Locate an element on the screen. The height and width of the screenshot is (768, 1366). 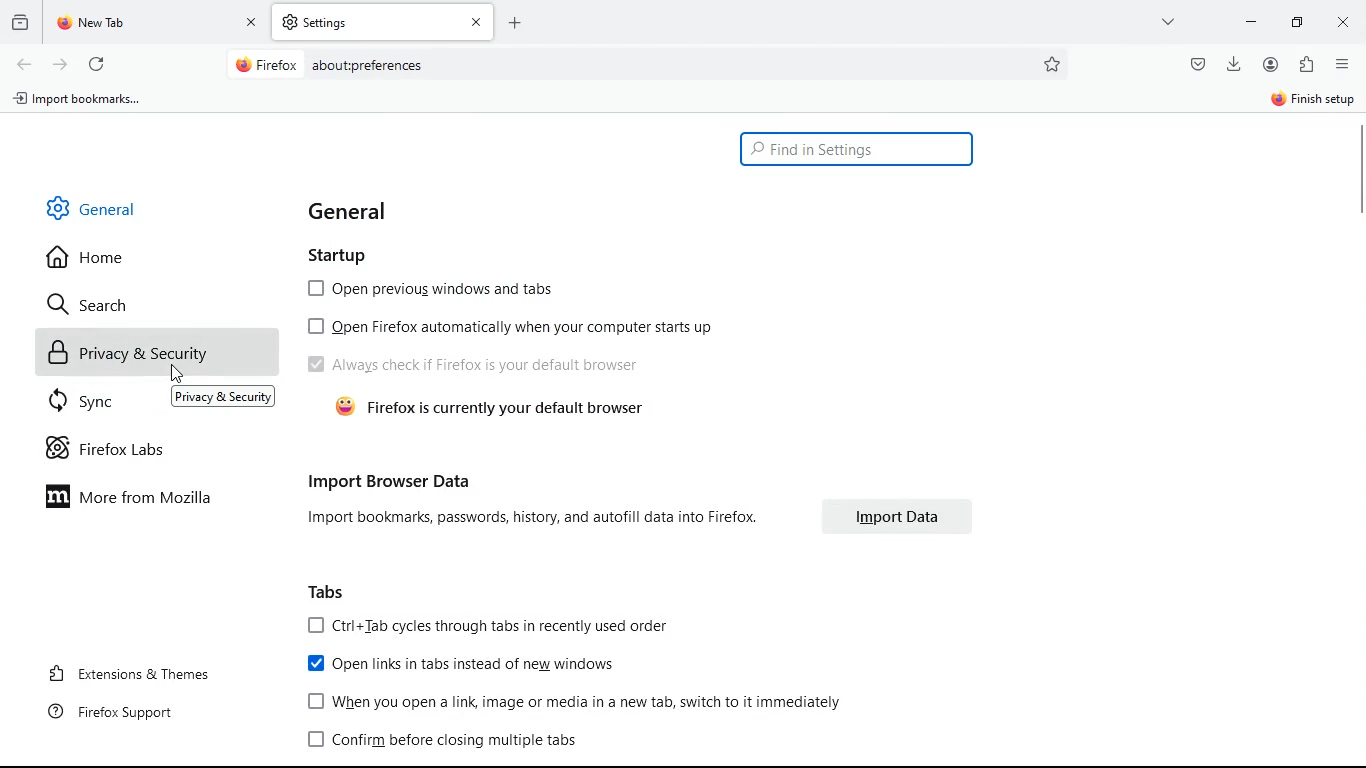
pocket is located at coordinates (1196, 63).